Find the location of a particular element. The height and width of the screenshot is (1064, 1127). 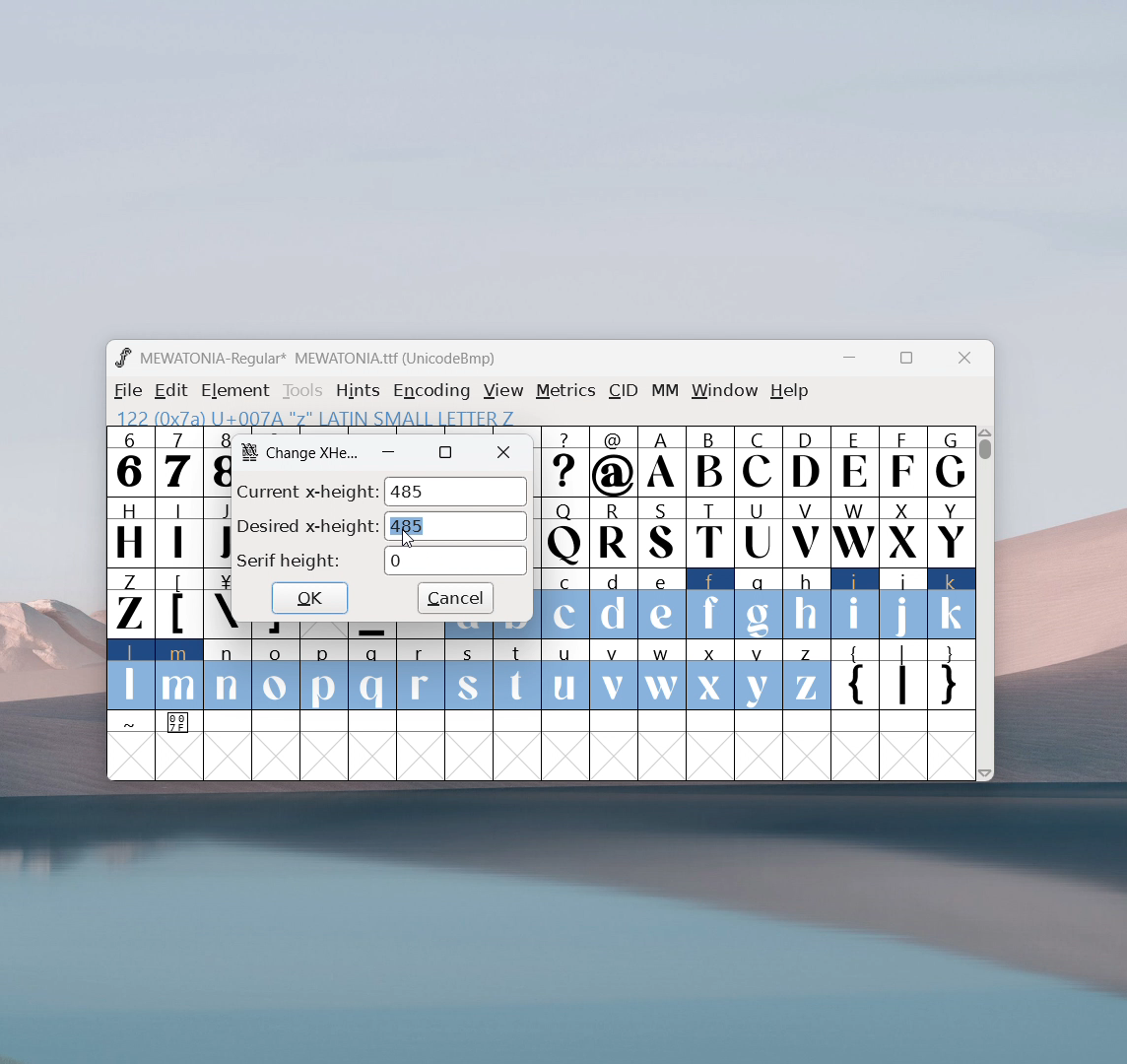

g is located at coordinates (759, 602).